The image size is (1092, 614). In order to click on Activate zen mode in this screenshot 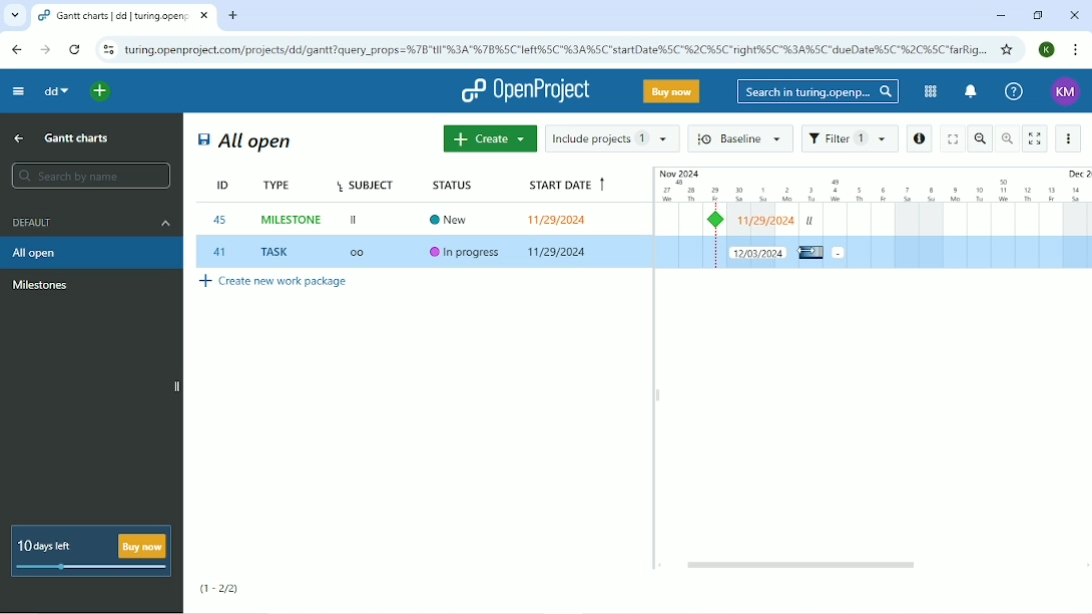, I will do `click(1035, 139)`.